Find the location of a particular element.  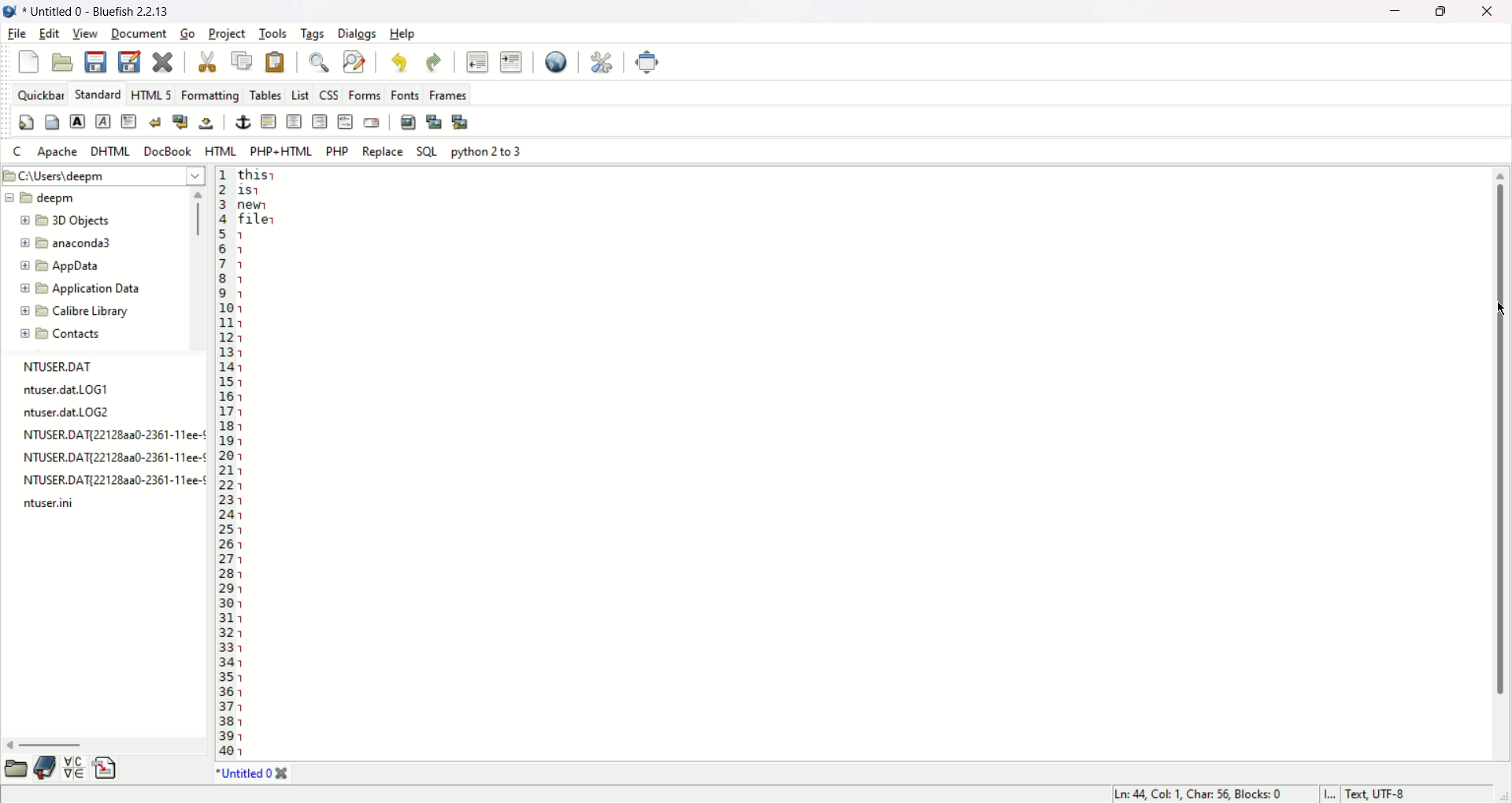

Contacts is located at coordinates (72, 334).